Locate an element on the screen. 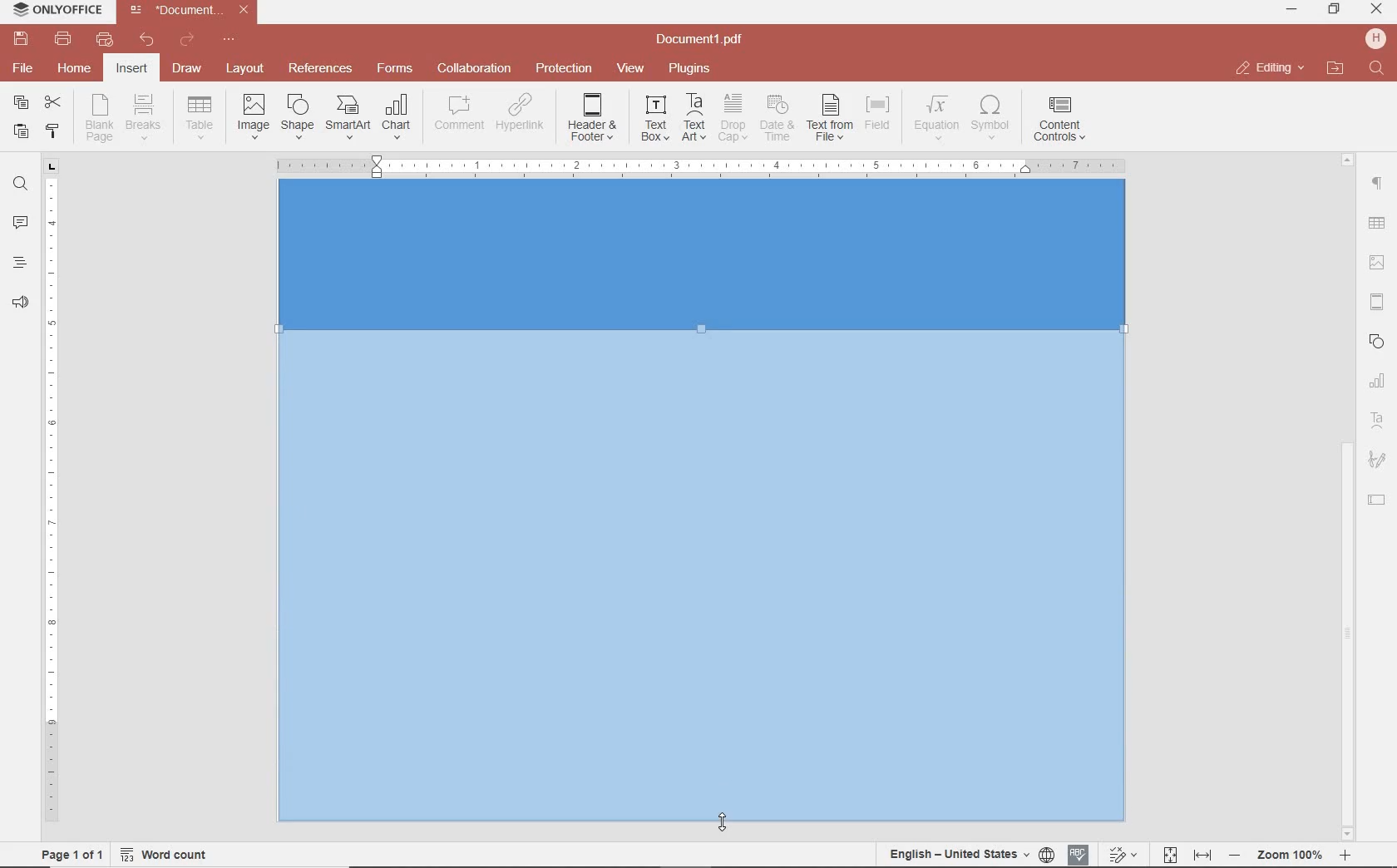  view is located at coordinates (630, 69).